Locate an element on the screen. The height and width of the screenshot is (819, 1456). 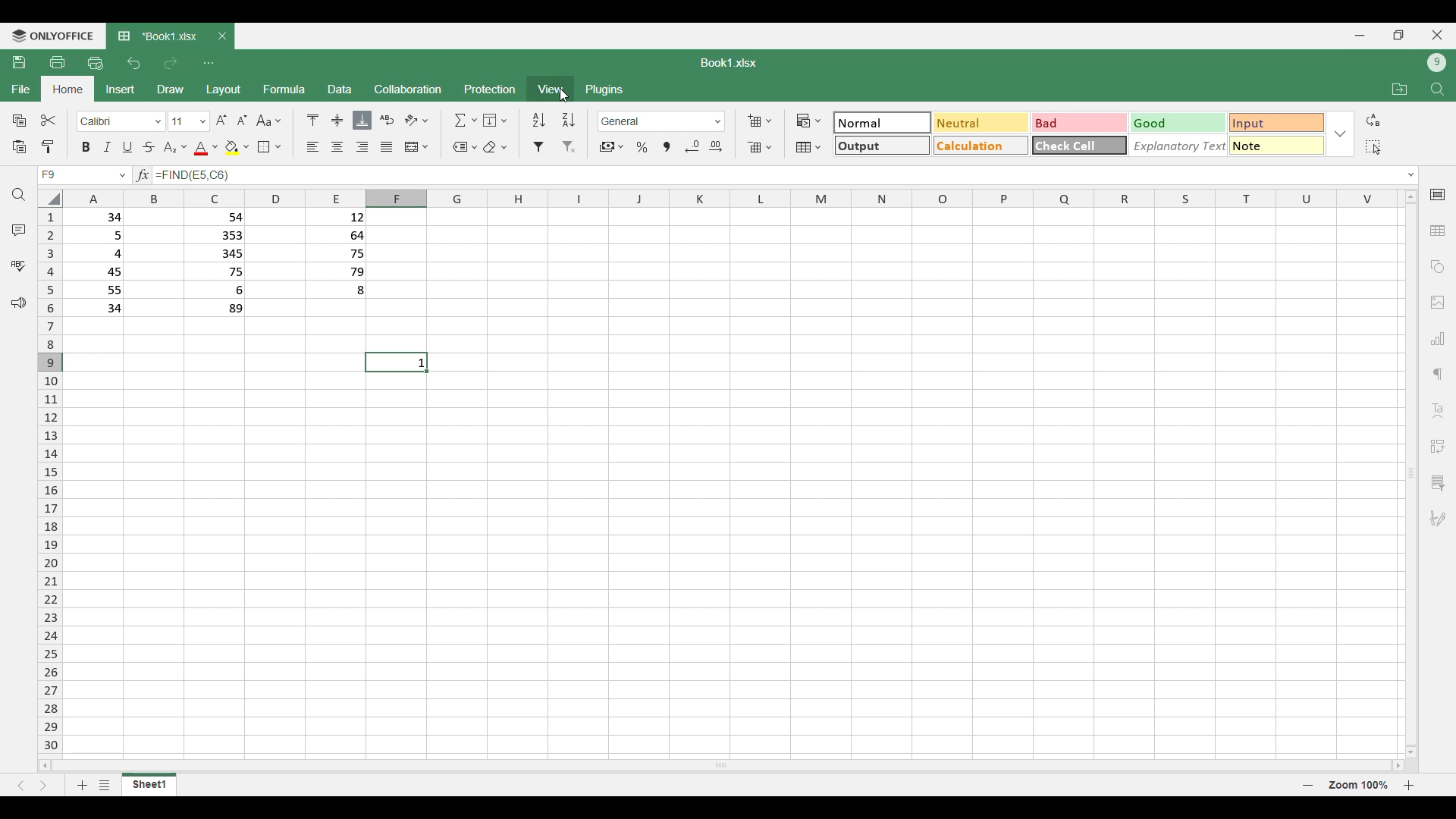
Strike through  is located at coordinates (148, 147).